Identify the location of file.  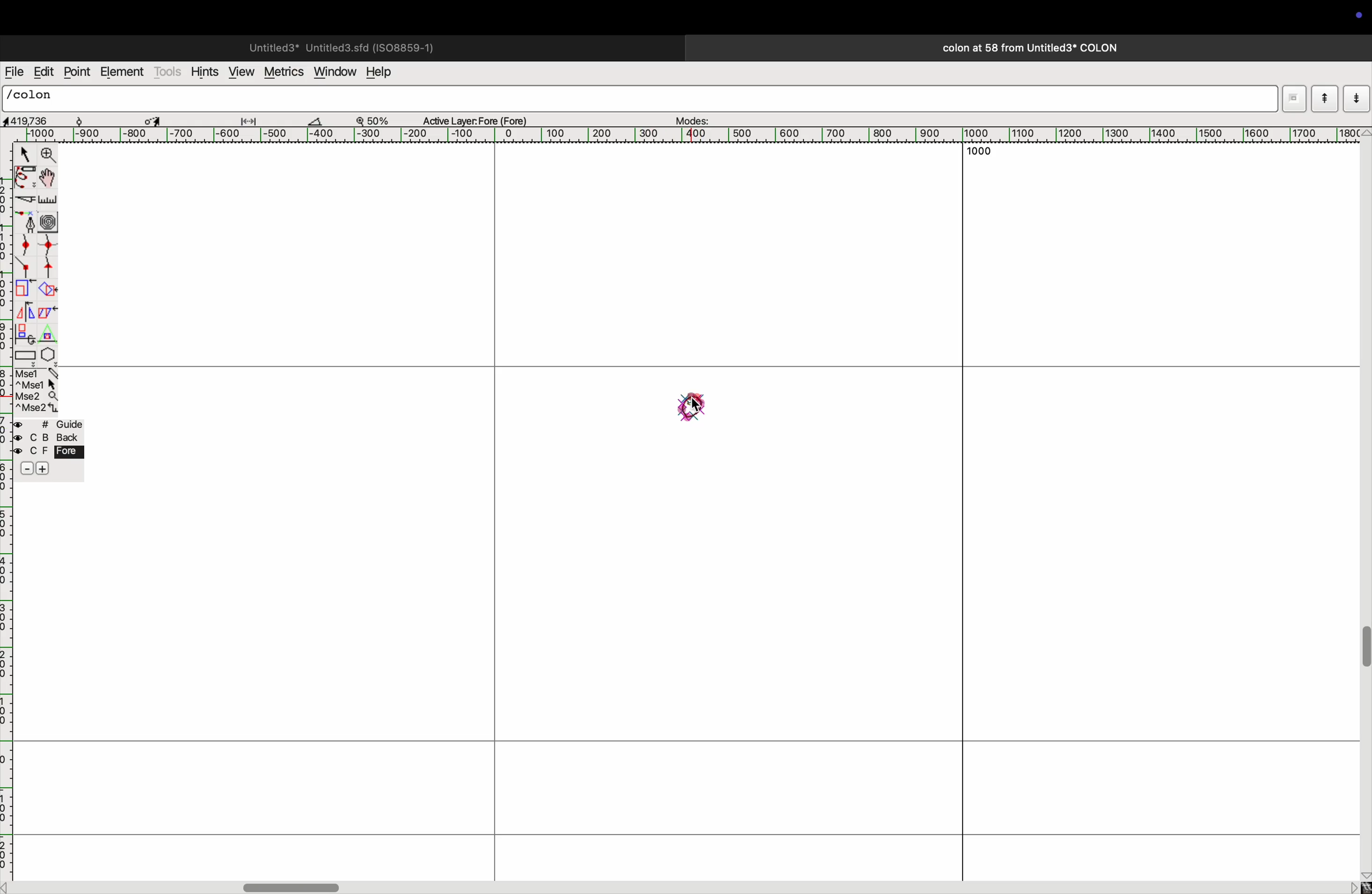
(14, 72).